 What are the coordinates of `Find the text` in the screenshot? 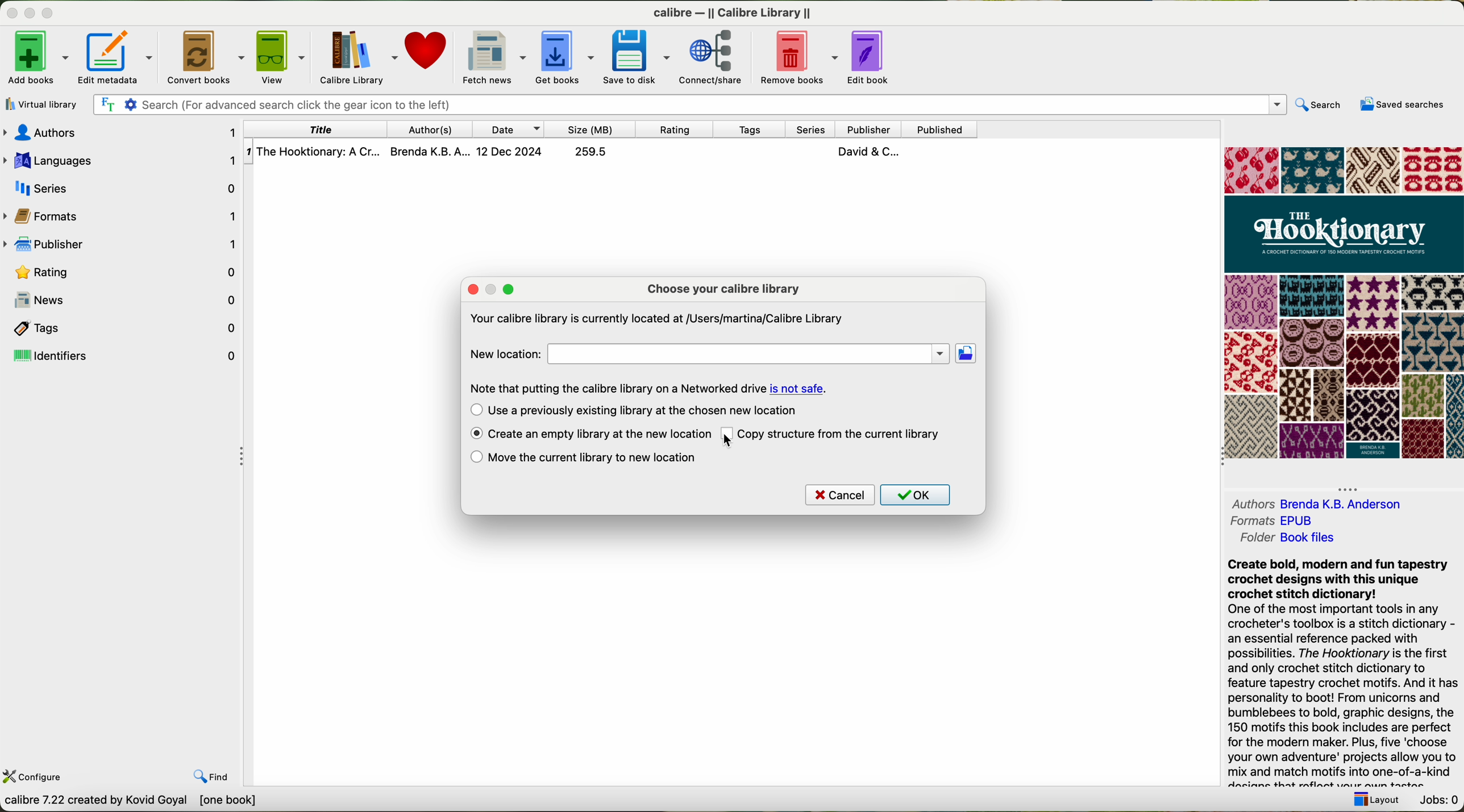 It's located at (106, 103).